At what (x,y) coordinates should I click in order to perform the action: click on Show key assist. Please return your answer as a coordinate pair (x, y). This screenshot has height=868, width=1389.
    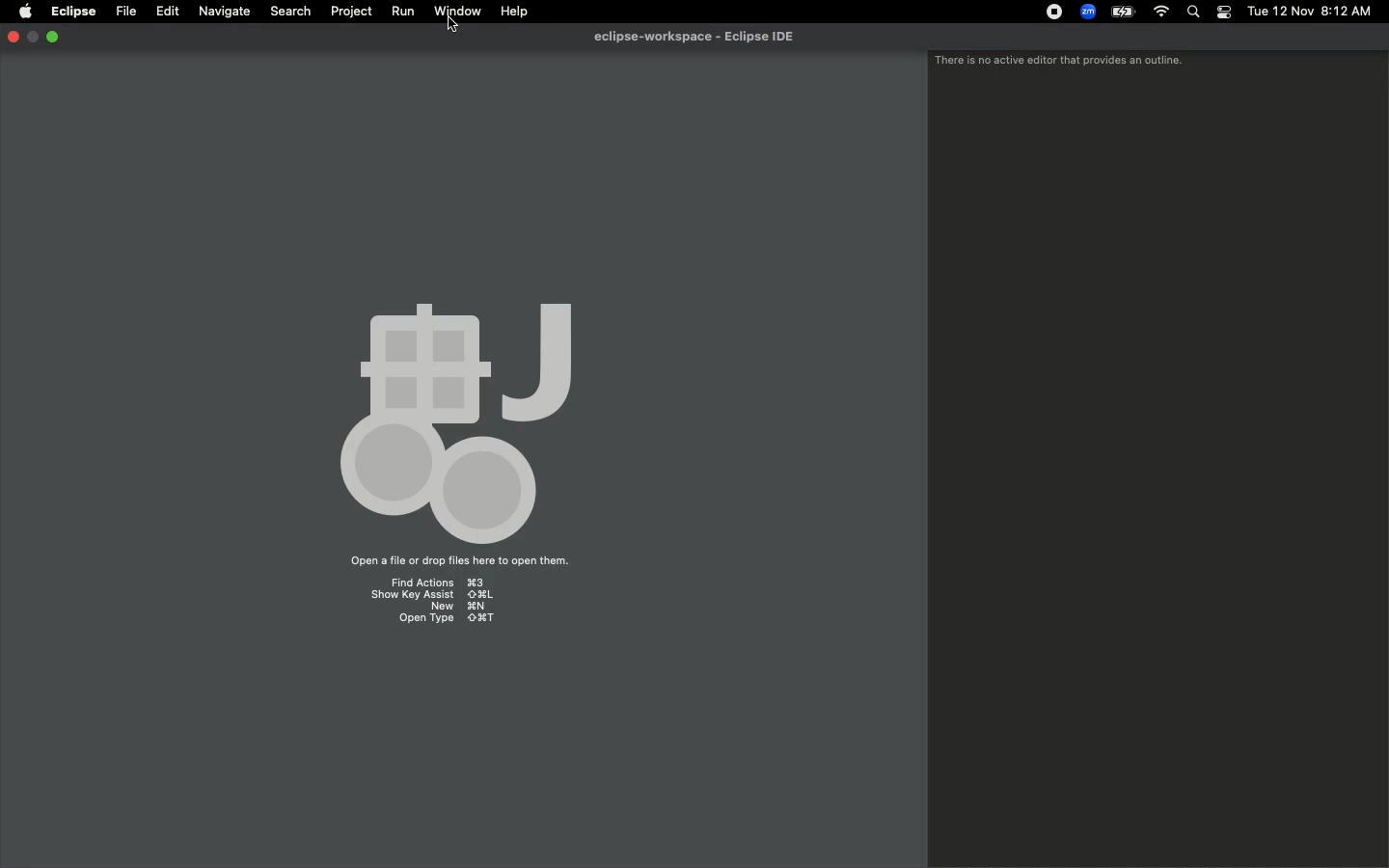
    Looking at the image, I should click on (433, 594).